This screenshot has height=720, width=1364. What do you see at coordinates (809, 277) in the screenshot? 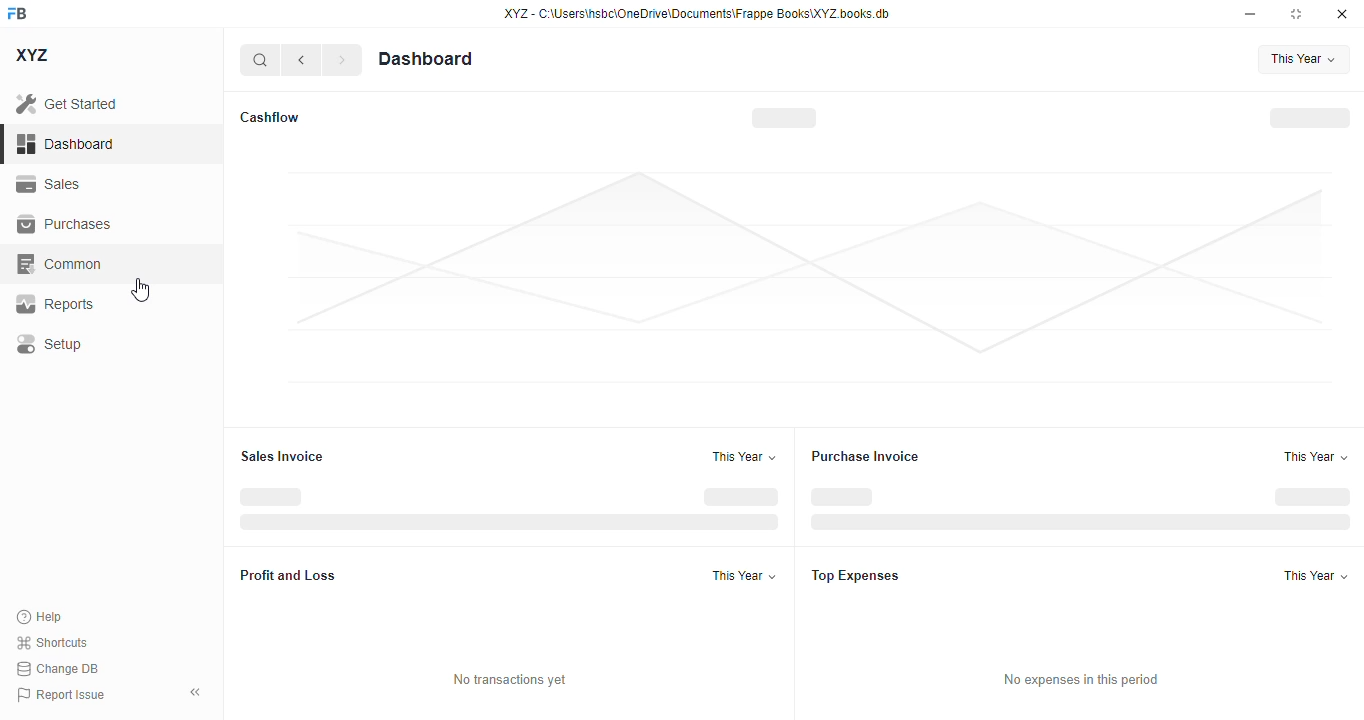
I see `graph` at bounding box center [809, 277].